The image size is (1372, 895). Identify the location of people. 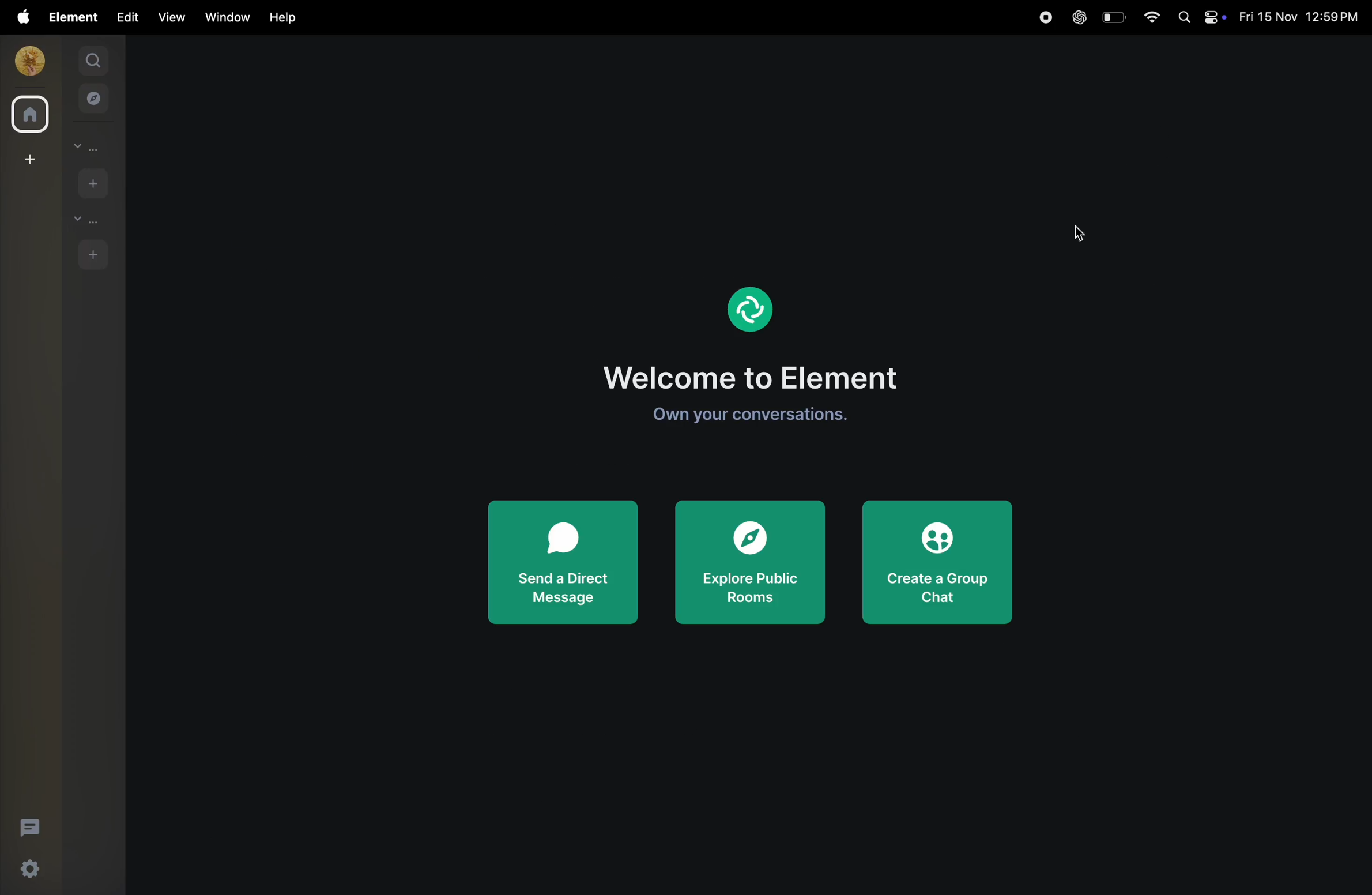
(91, 146).